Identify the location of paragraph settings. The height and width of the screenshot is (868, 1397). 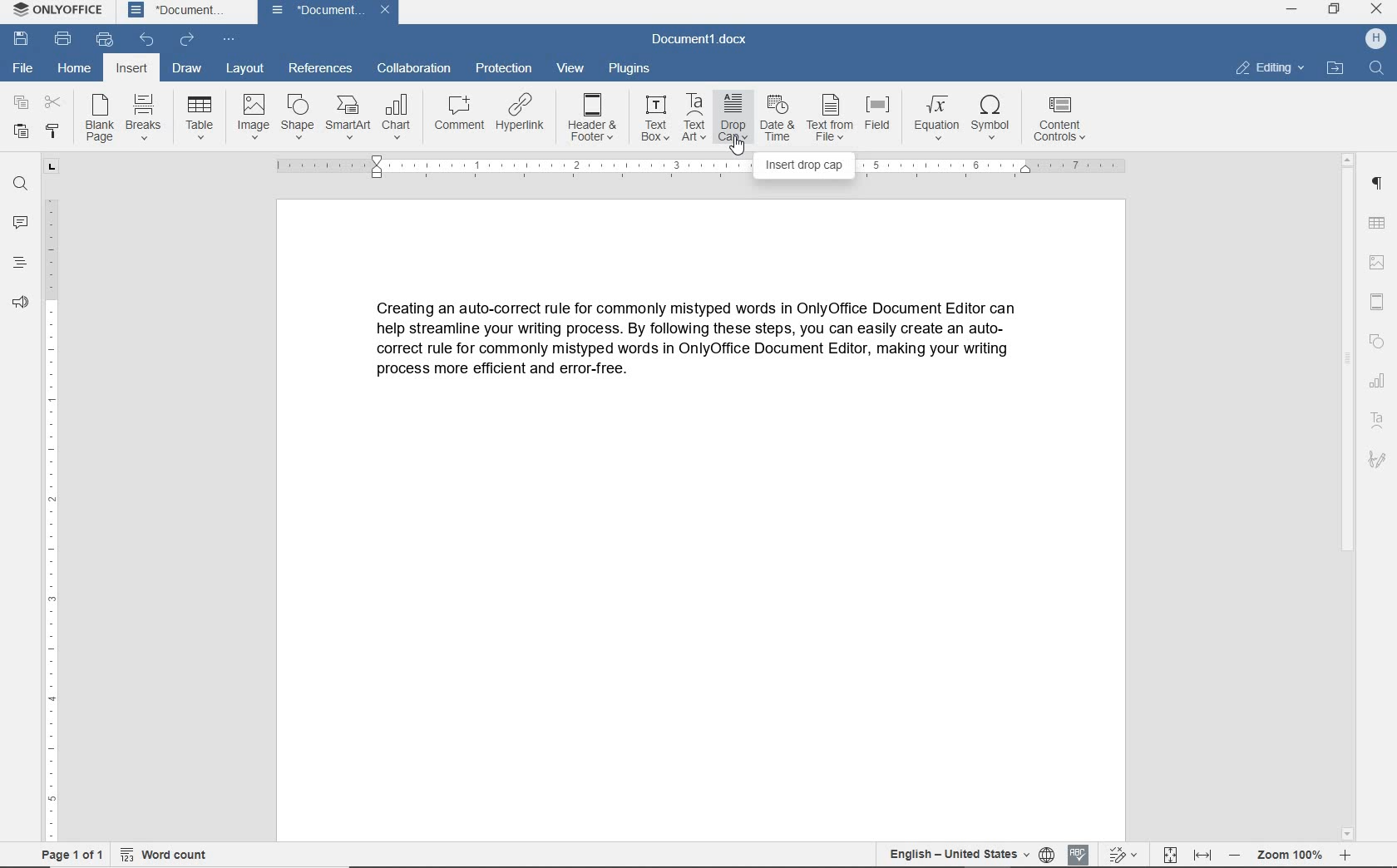
(1379, 184).